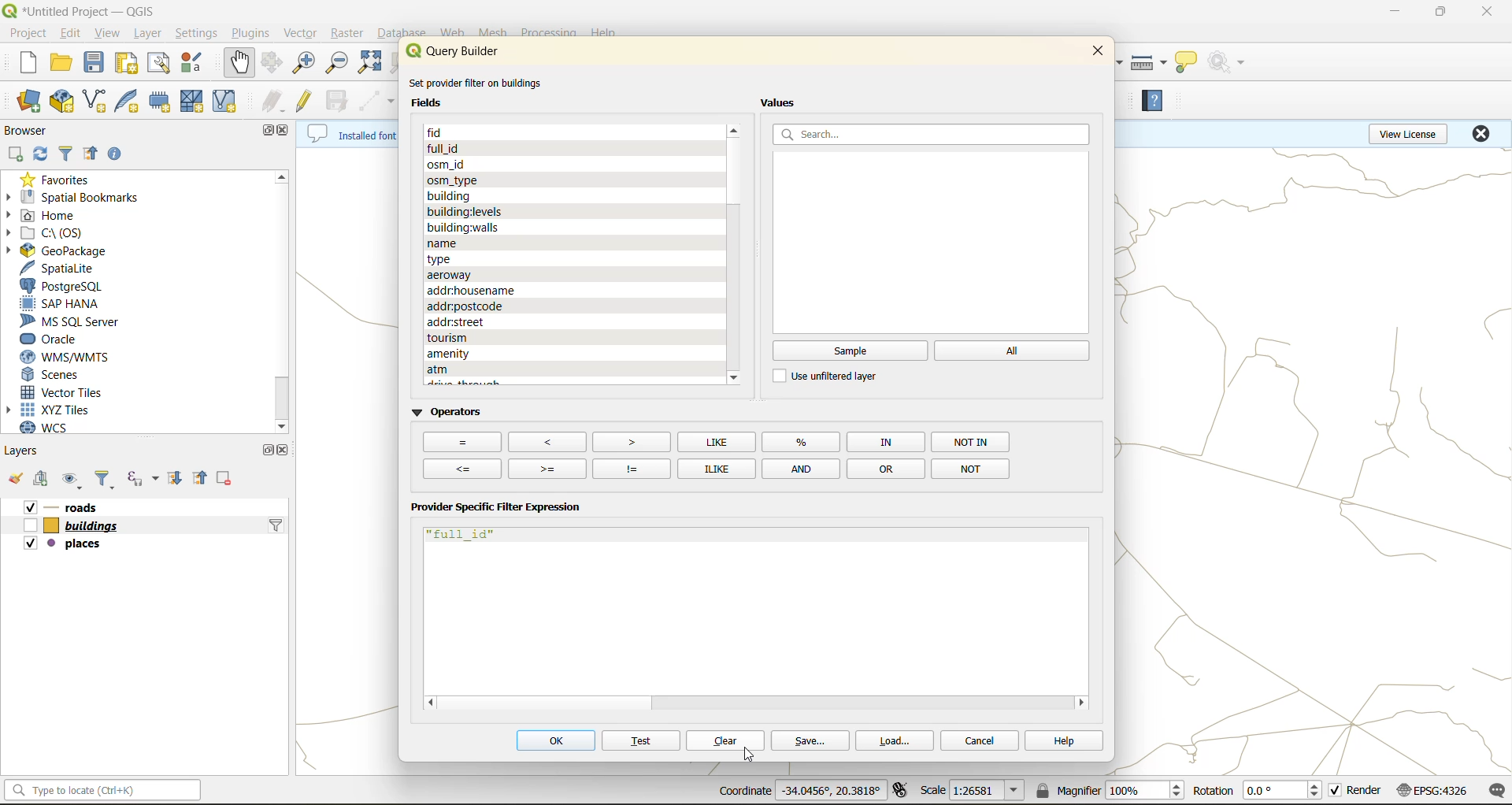  What do you see at coordinates (57, 64) in the screenshot?
I see `open` at bounding box center [57, 64].